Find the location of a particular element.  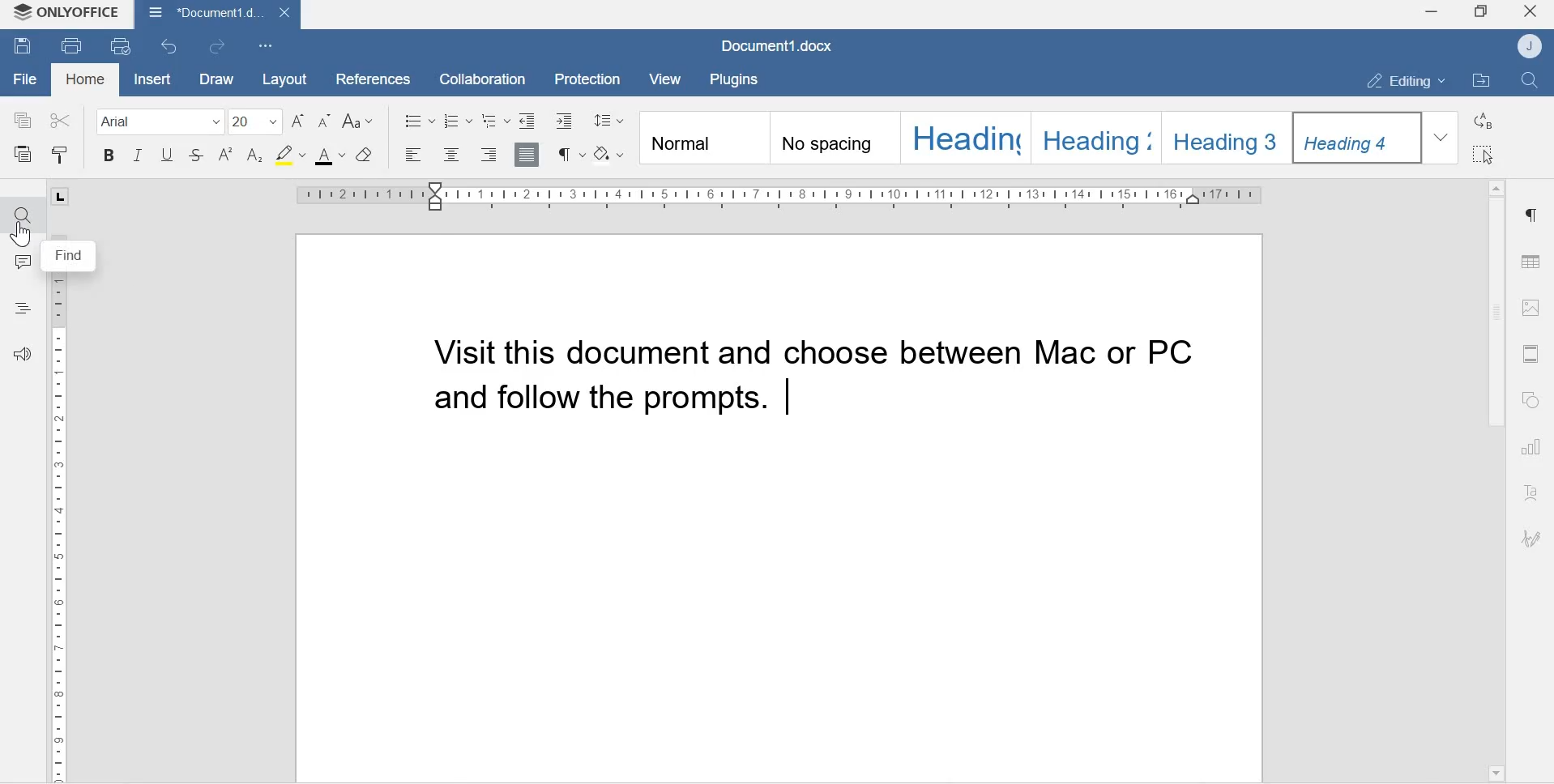

Scroll up is located at coordinates (1496, 184).